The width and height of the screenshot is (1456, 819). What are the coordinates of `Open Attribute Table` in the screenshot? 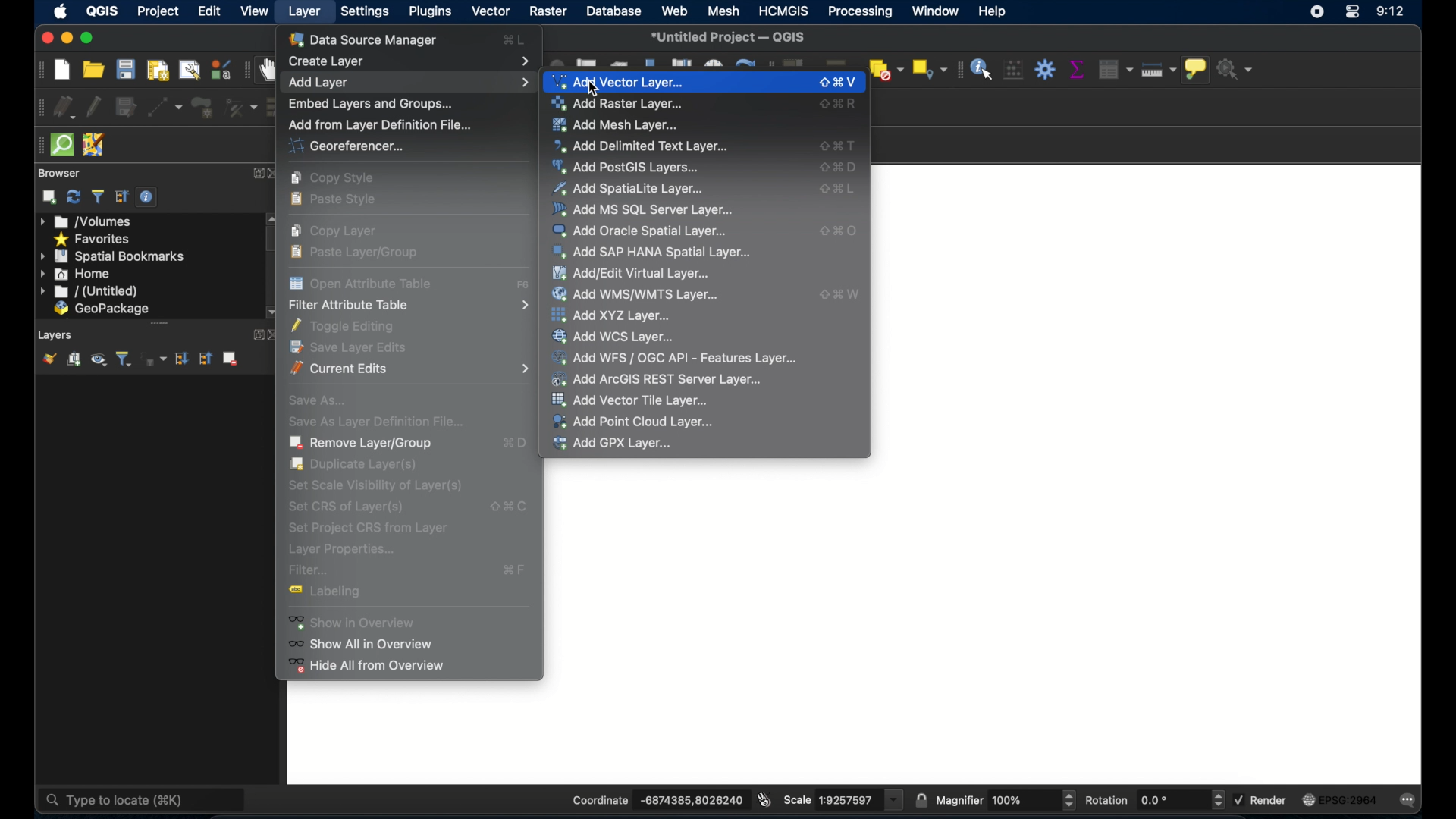 It's located at (410, 285).